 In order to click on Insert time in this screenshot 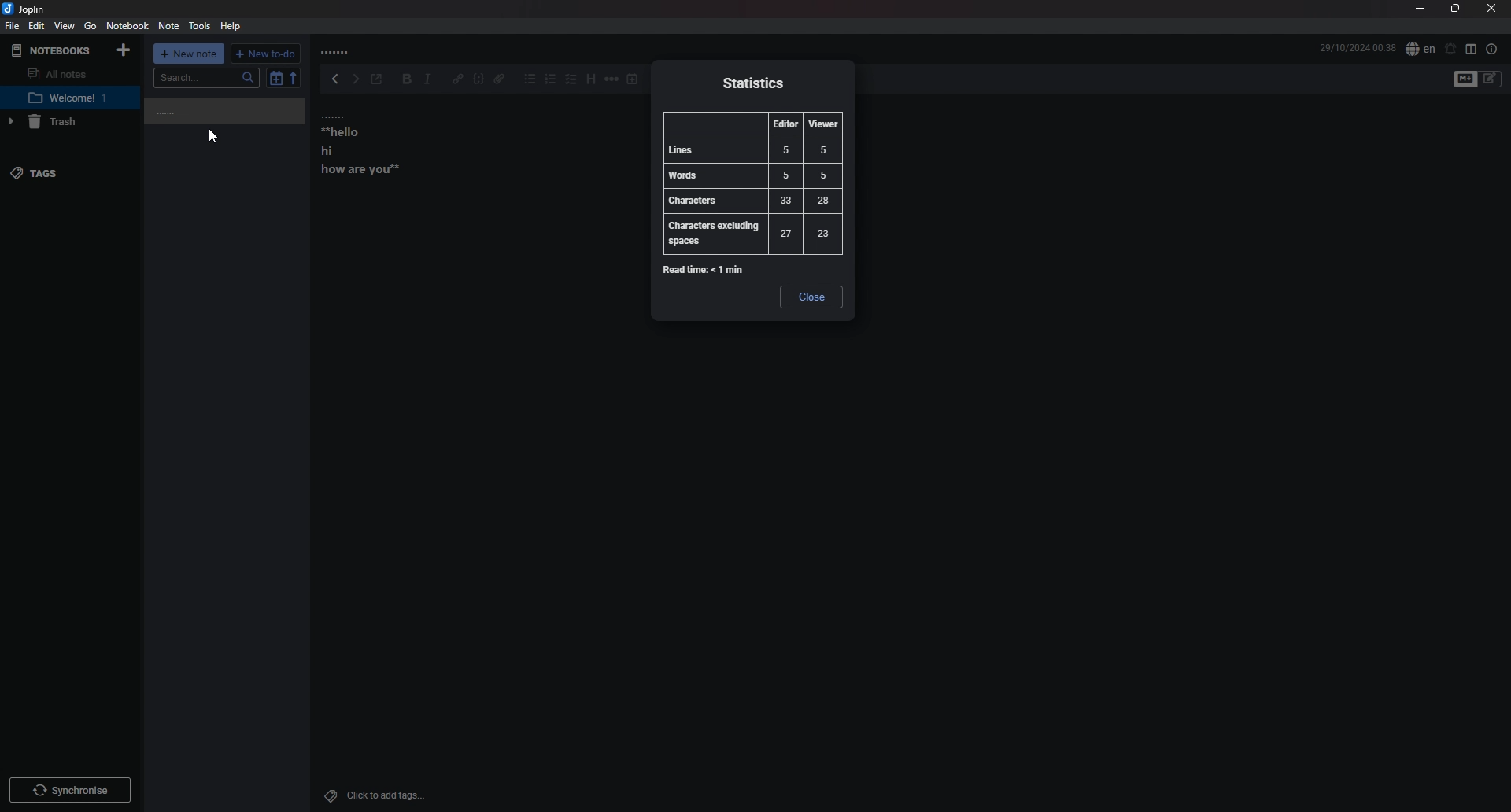, I will do `click(634, 79)`.